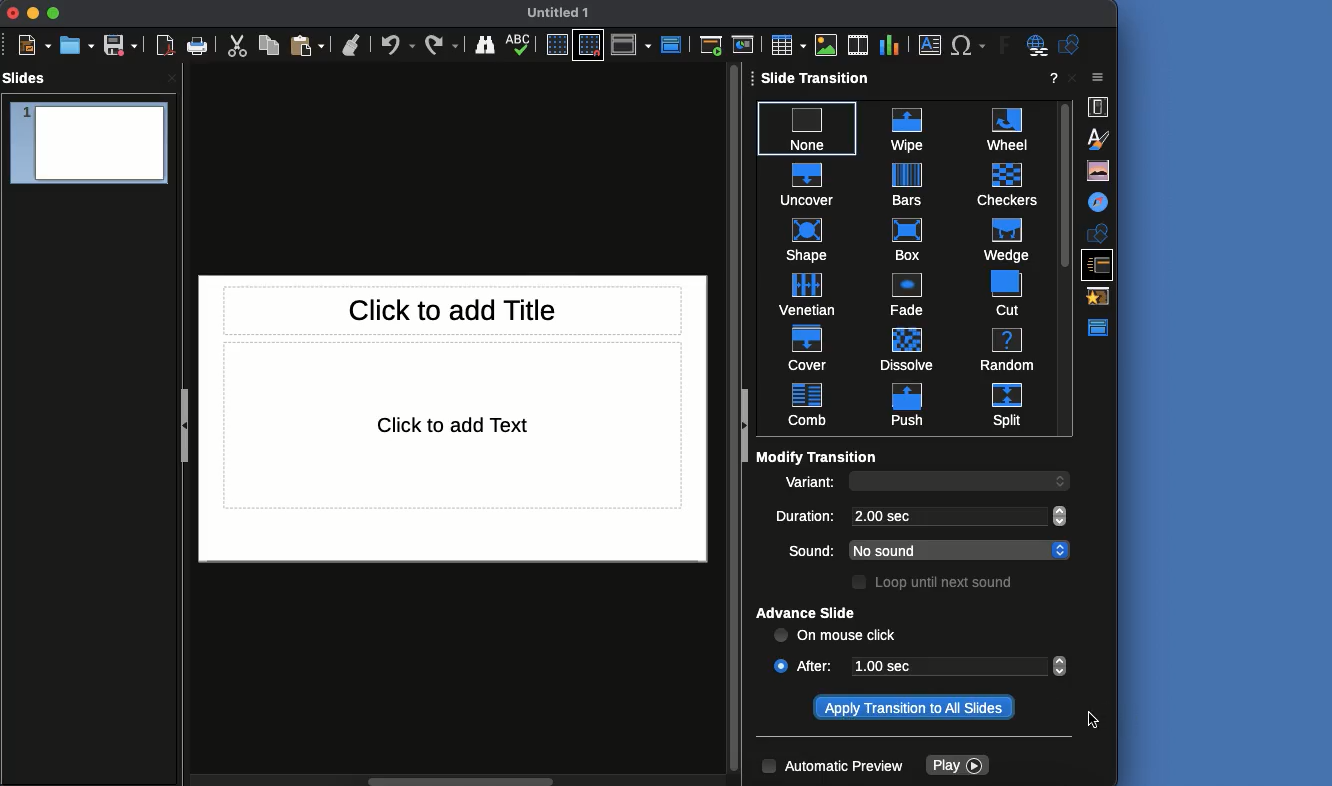  What do you see at coordinates (269, 46) in the screenshot?
I see `Copy` at bounding box center [269, 46].